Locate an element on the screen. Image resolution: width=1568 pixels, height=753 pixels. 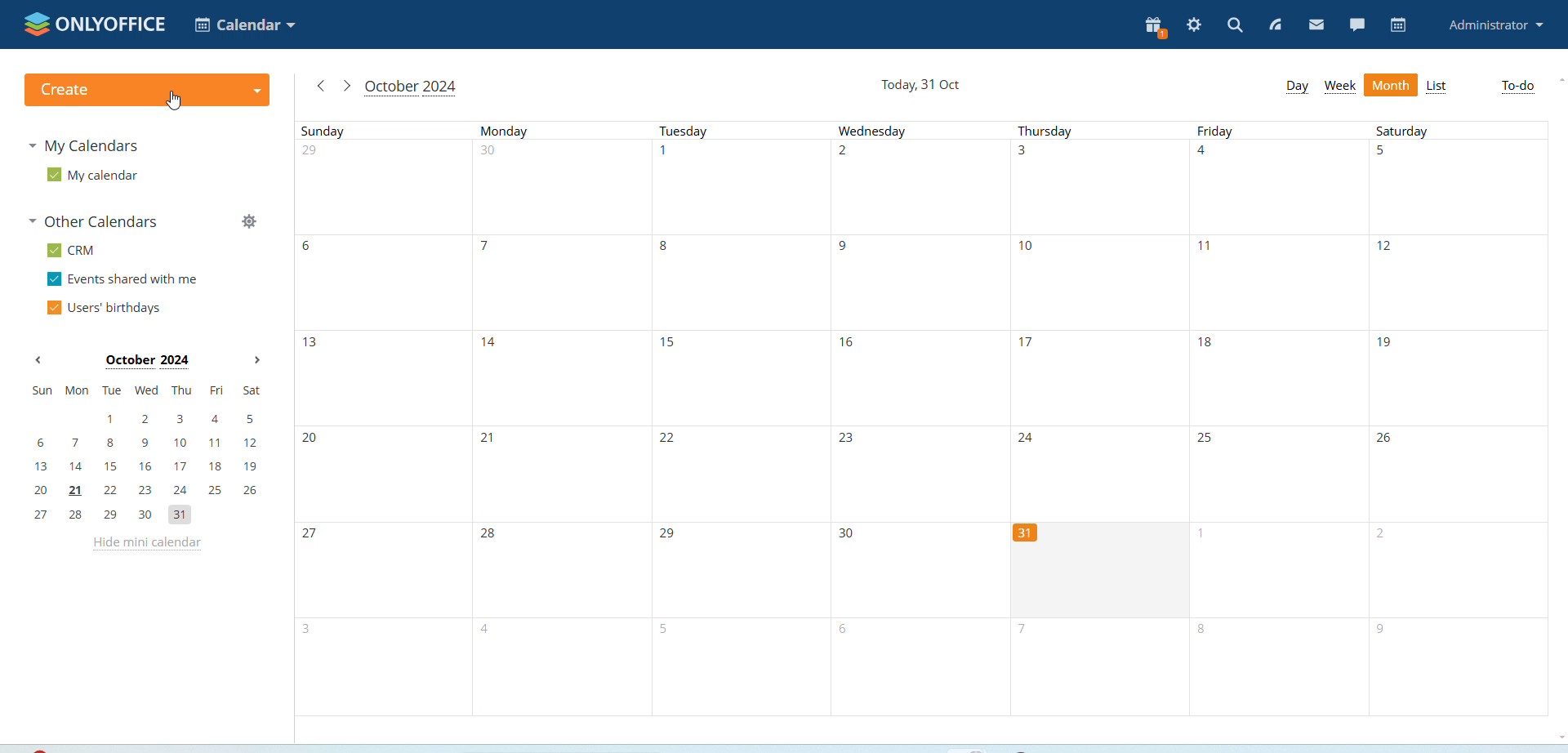
next month is located at coordinates (256, 360).